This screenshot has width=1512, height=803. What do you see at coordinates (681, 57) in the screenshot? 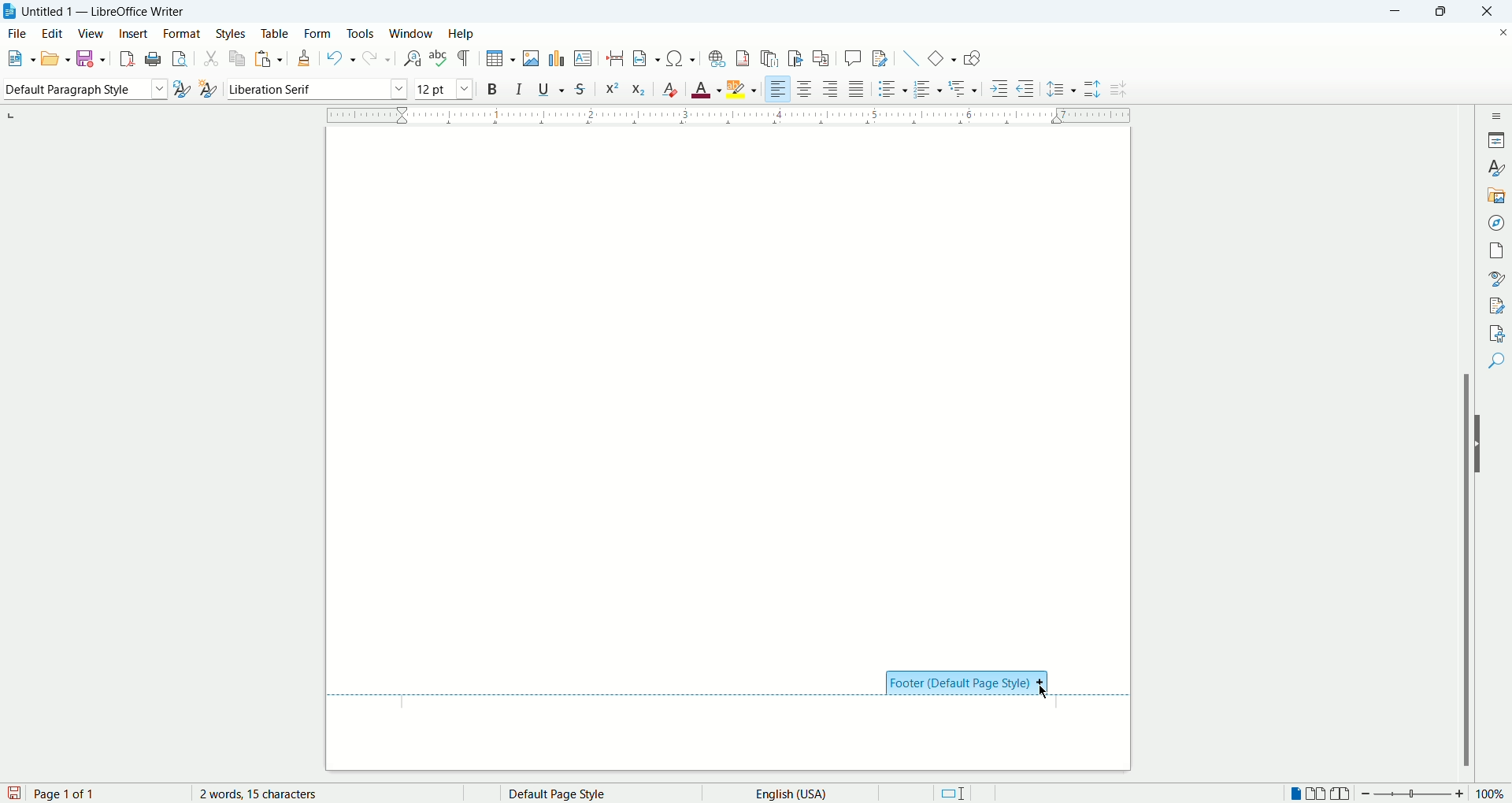
I see `insert symbol` at bounding box center [681, 57].